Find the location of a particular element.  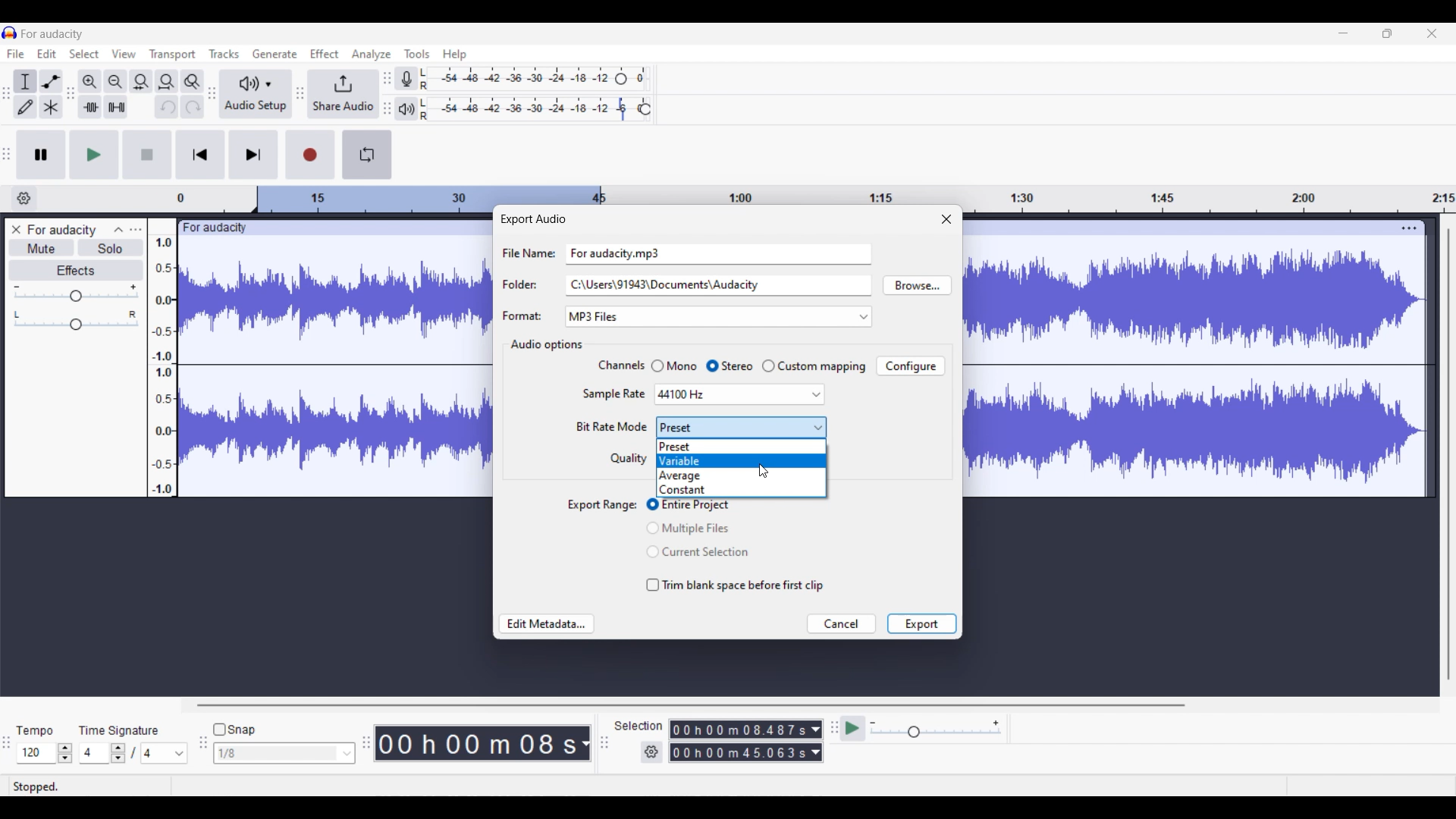

Indicates time signature settings is located at coordinates (119, 730).